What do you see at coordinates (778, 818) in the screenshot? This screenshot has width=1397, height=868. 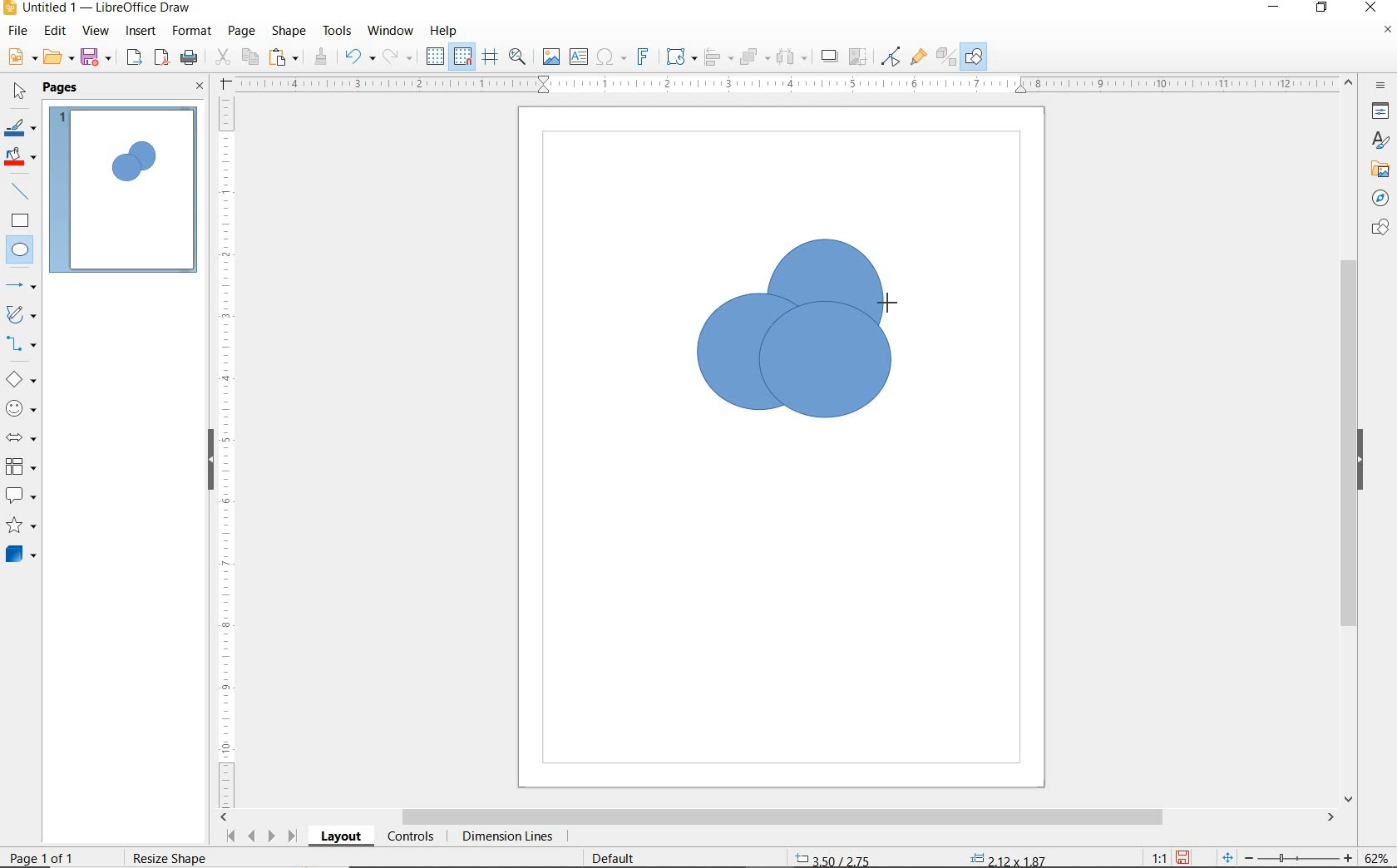 I see `SCROLLBAR` at bounding box center [778, 818].